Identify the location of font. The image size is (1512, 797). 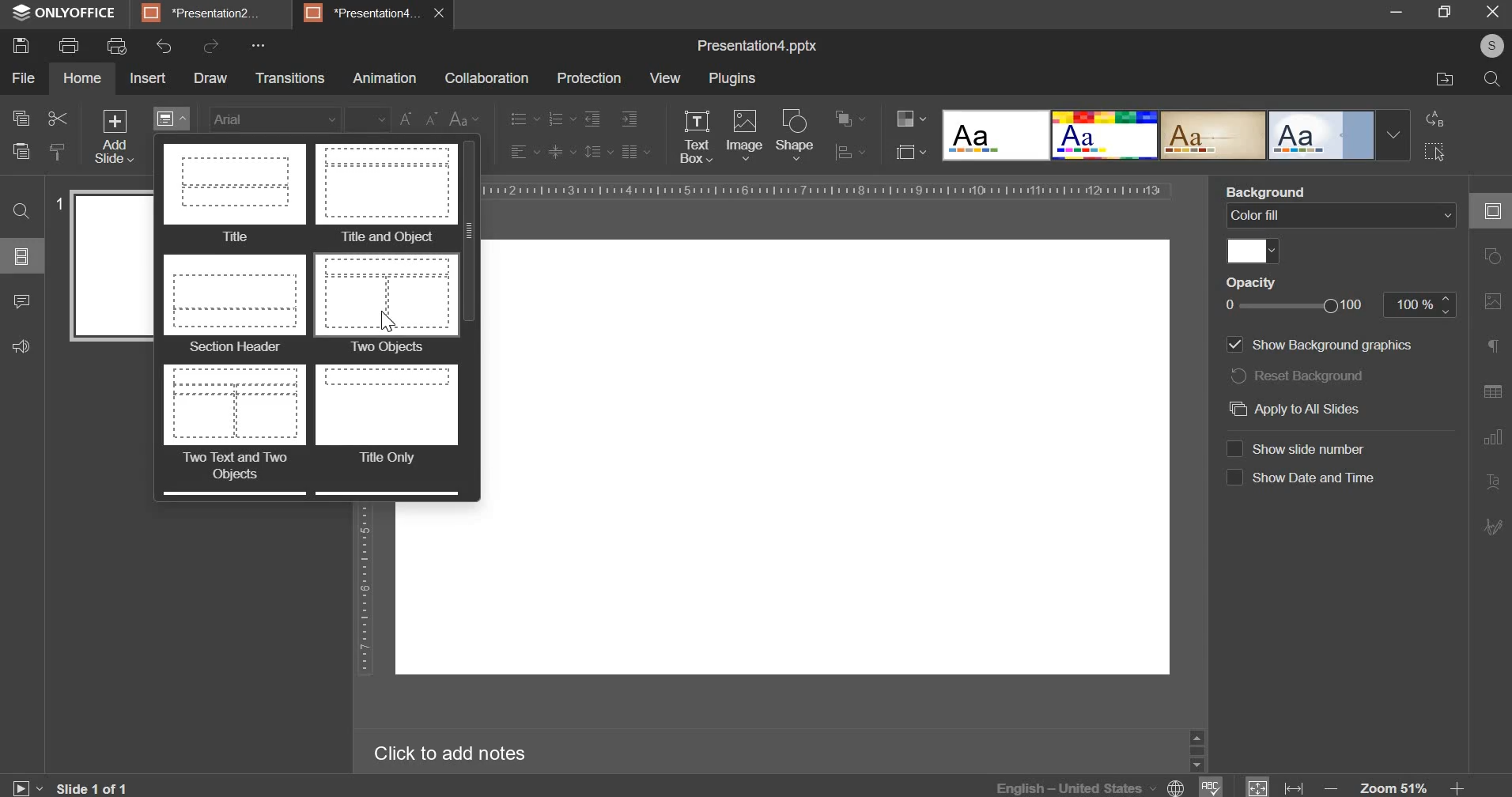
(275, 116).